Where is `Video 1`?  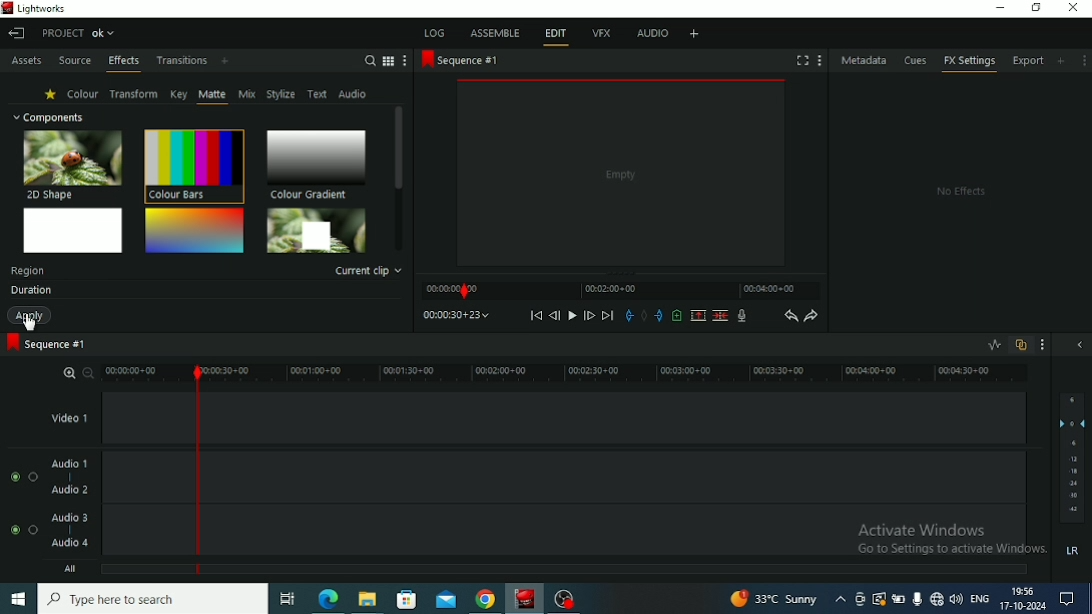
Video 1 is located at coordinates (627, 418).